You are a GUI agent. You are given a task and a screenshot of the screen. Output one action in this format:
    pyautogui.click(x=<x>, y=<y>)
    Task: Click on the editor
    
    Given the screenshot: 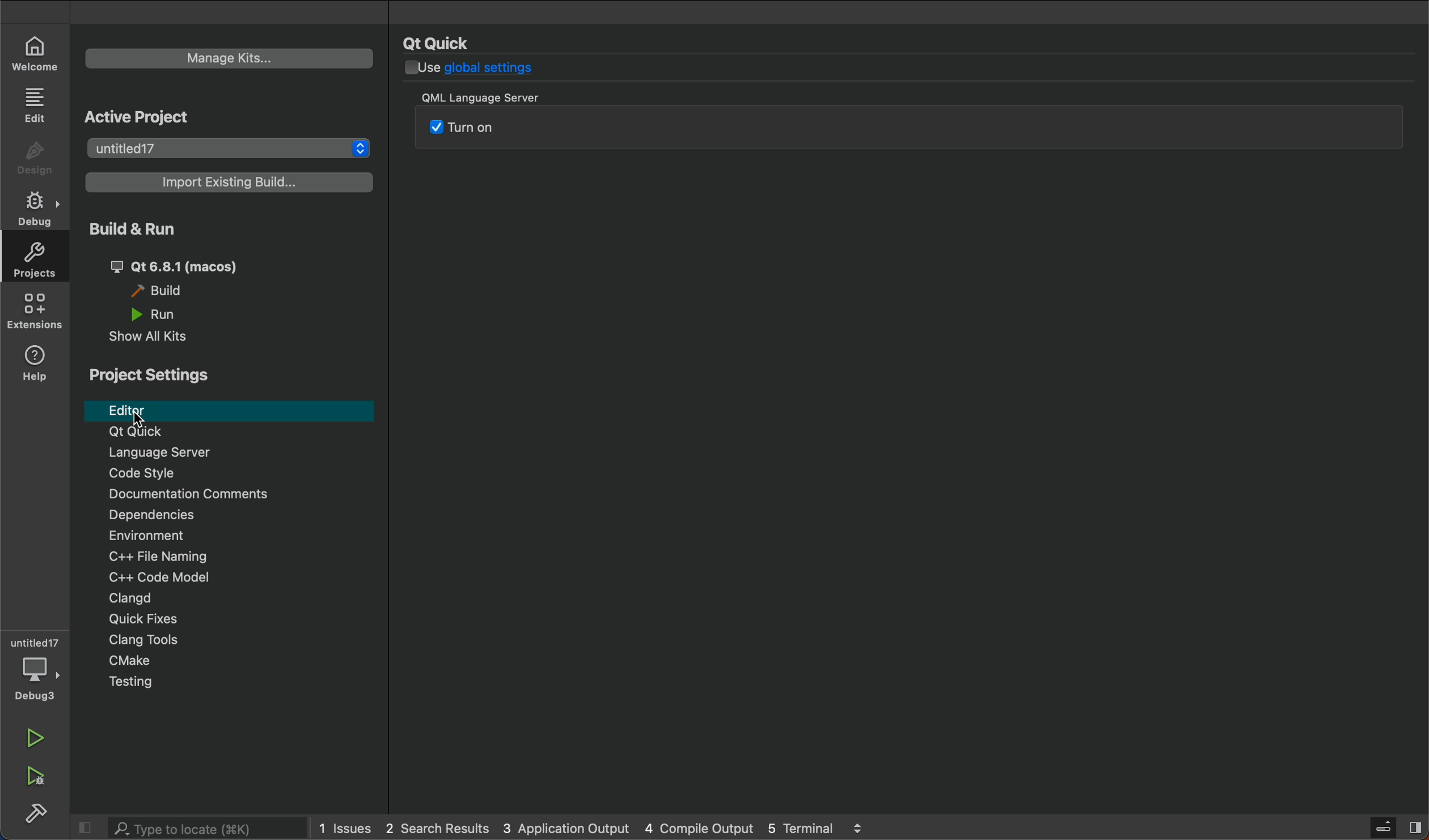 What is the action you would take?
    pyautogui.click(x=231, y=410)
    